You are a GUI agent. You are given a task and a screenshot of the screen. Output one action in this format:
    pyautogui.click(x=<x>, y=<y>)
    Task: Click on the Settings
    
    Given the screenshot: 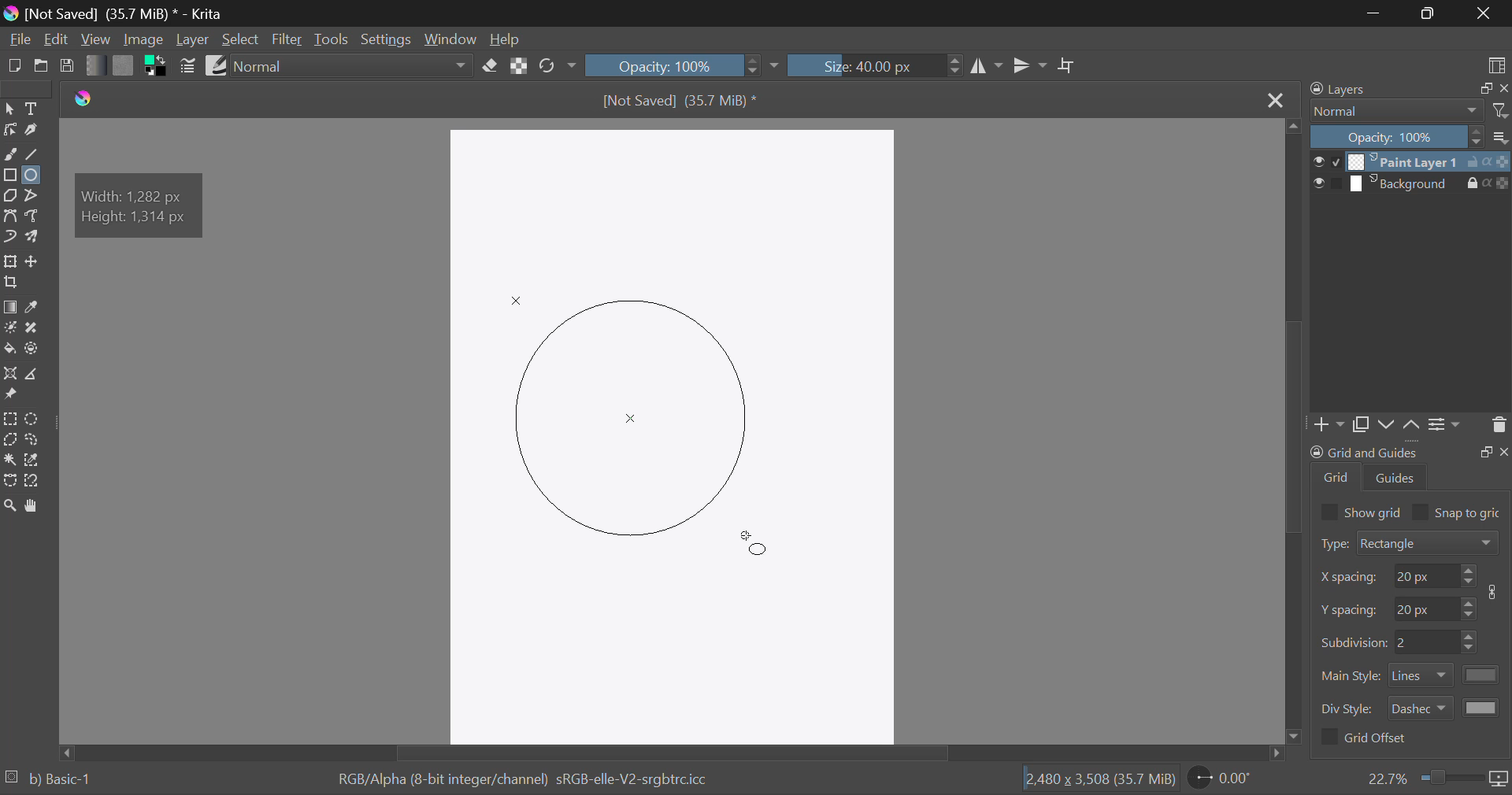 What is the action you would take?
    pyautogui.click(x=1447, y=429)
    